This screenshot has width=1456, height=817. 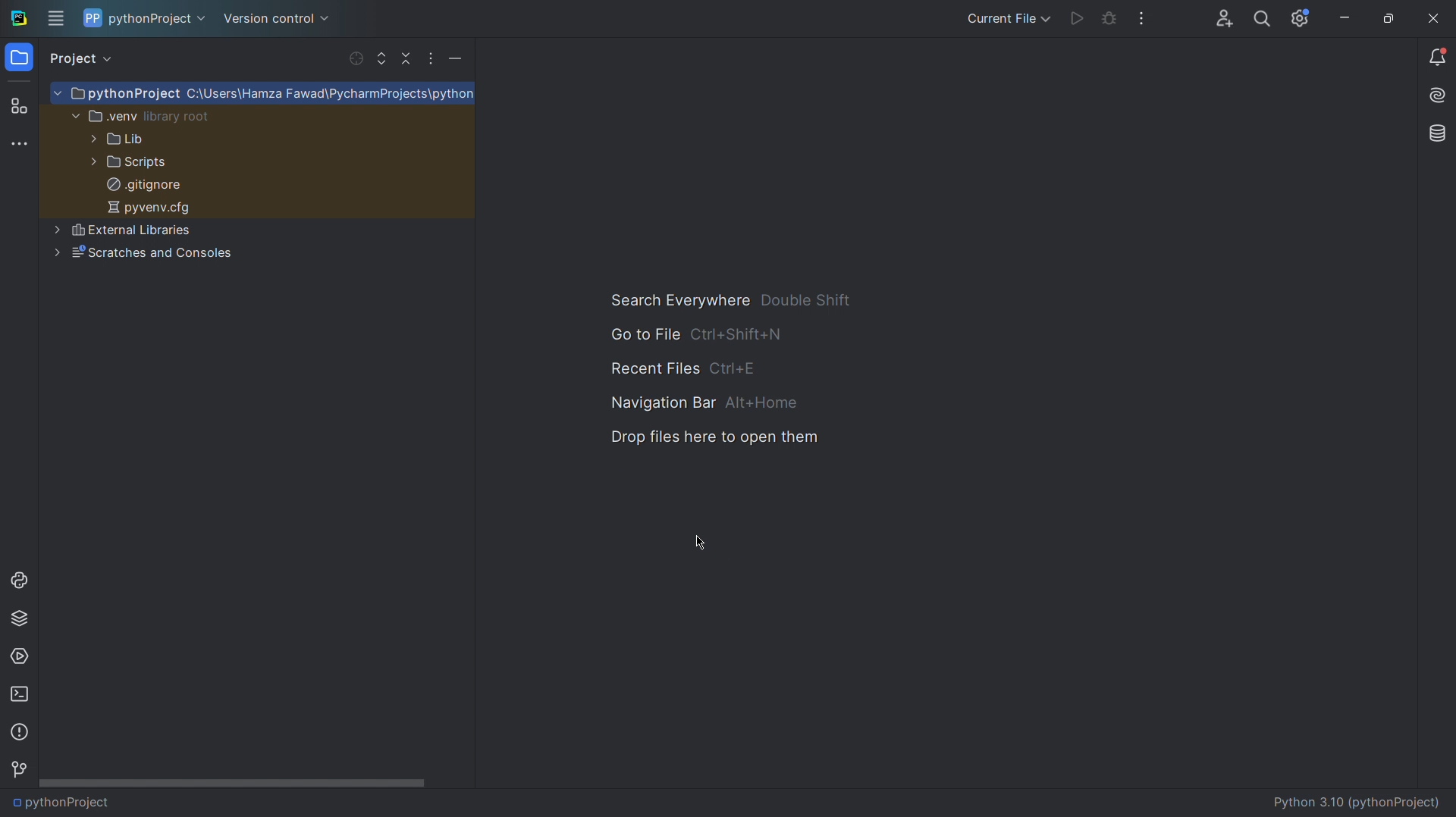 I want to click on Notifications, so click(x=1438, y=57).